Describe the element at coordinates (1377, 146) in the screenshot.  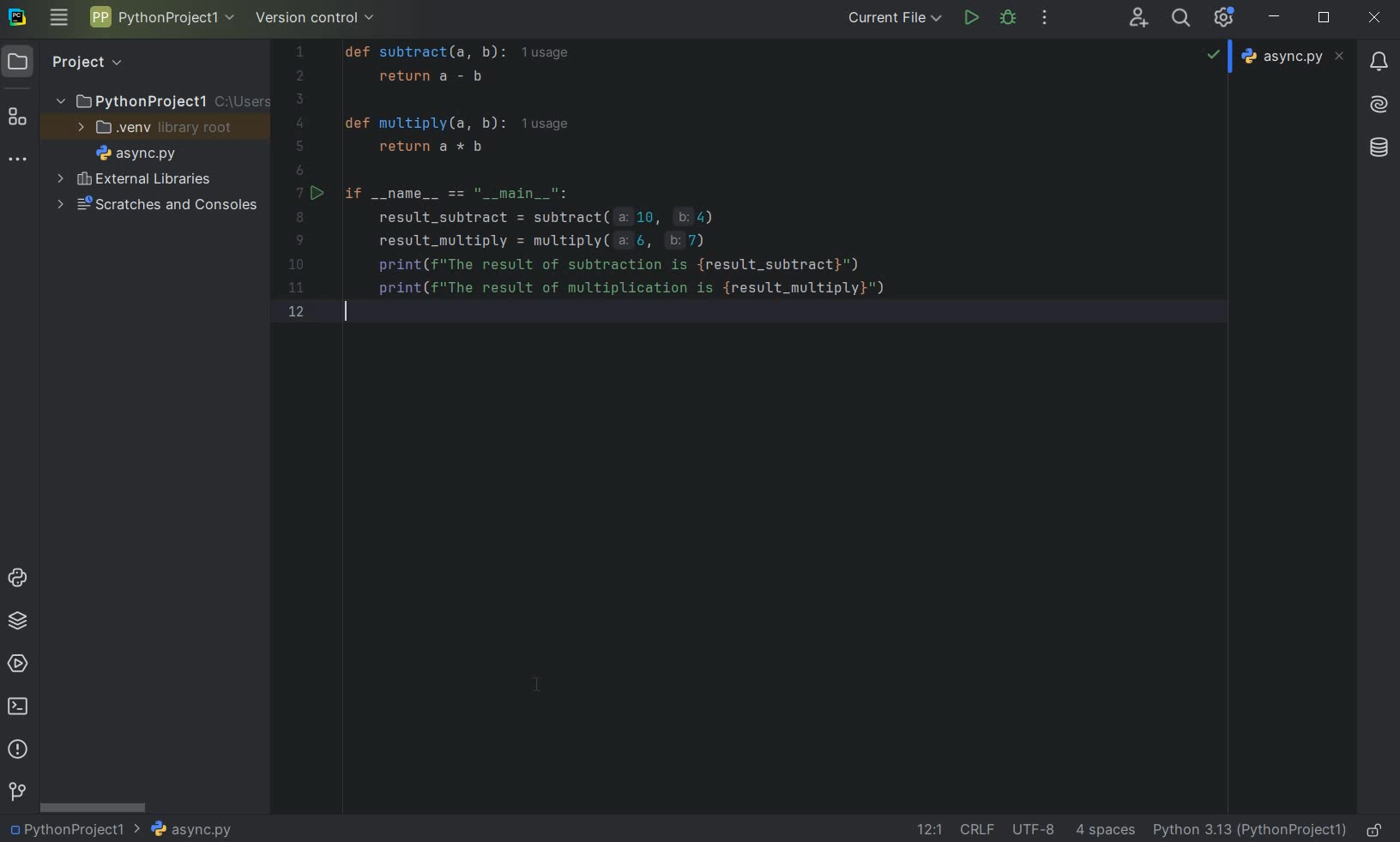
I see `database` at that location.